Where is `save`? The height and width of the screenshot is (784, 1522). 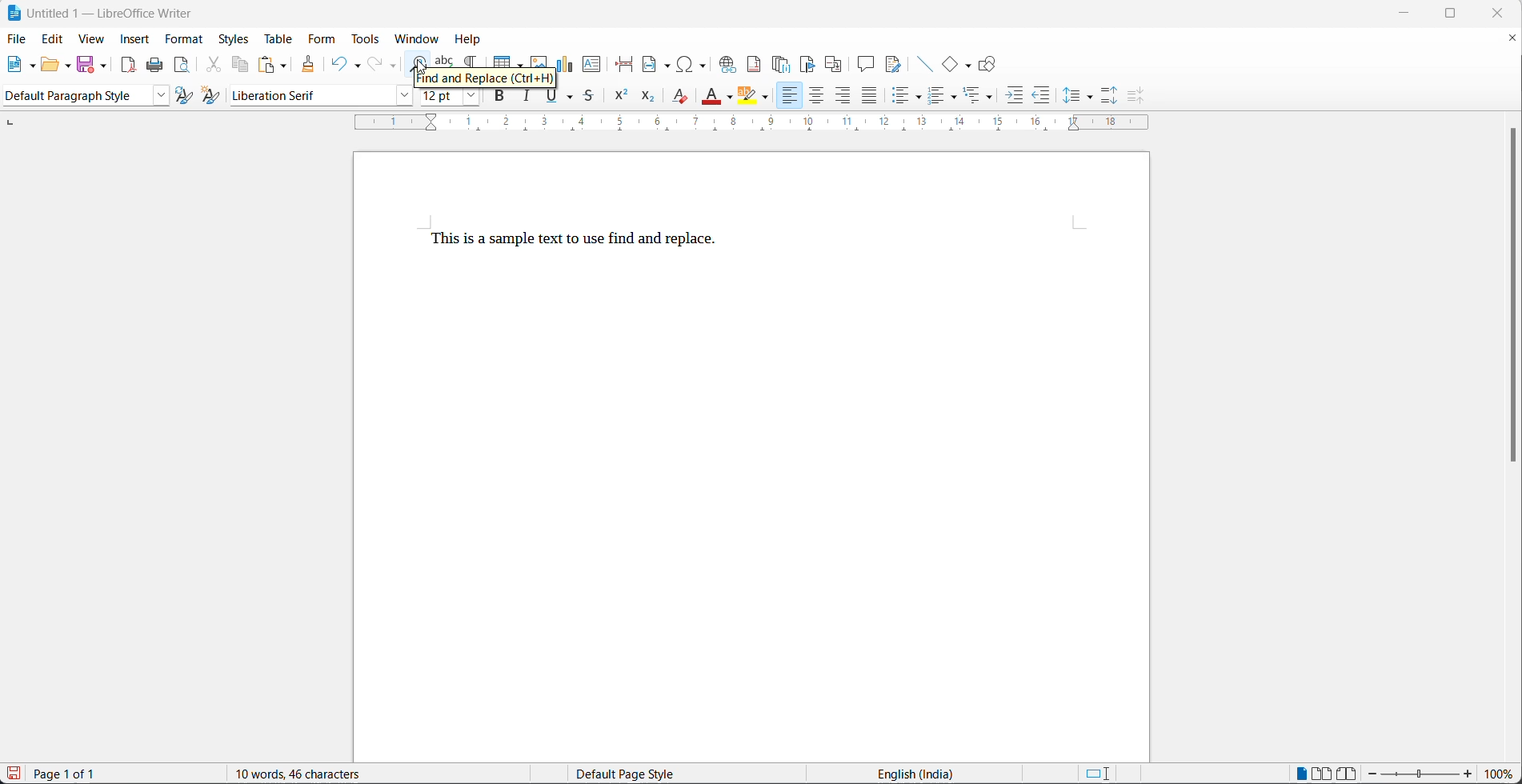
save is located at coordinates (14, 773).